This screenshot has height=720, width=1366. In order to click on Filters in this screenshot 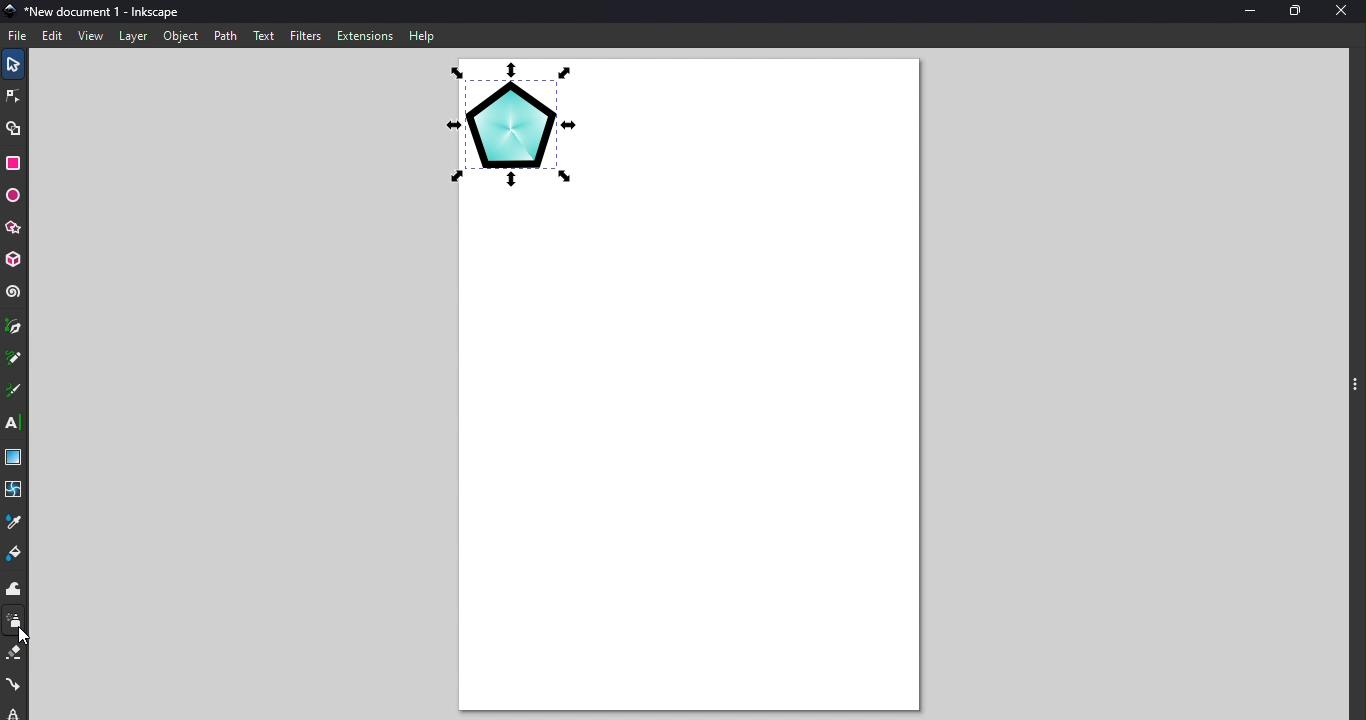, I will do `click(306, 35)`.